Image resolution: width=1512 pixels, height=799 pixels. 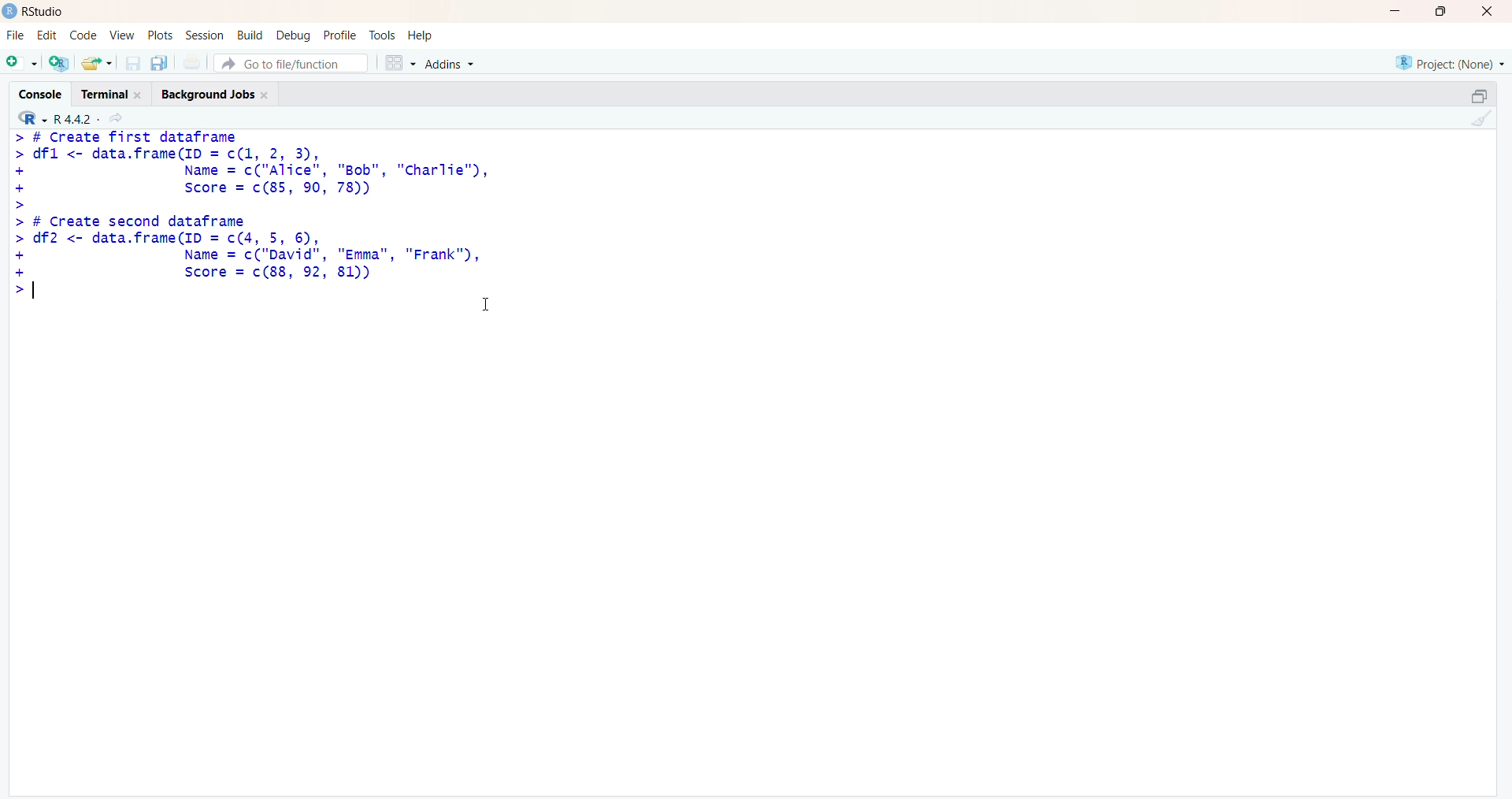 What do you see at coordinates (340, 35) in the screenshot?
I see `Profile` at bounding box center [340, 35].